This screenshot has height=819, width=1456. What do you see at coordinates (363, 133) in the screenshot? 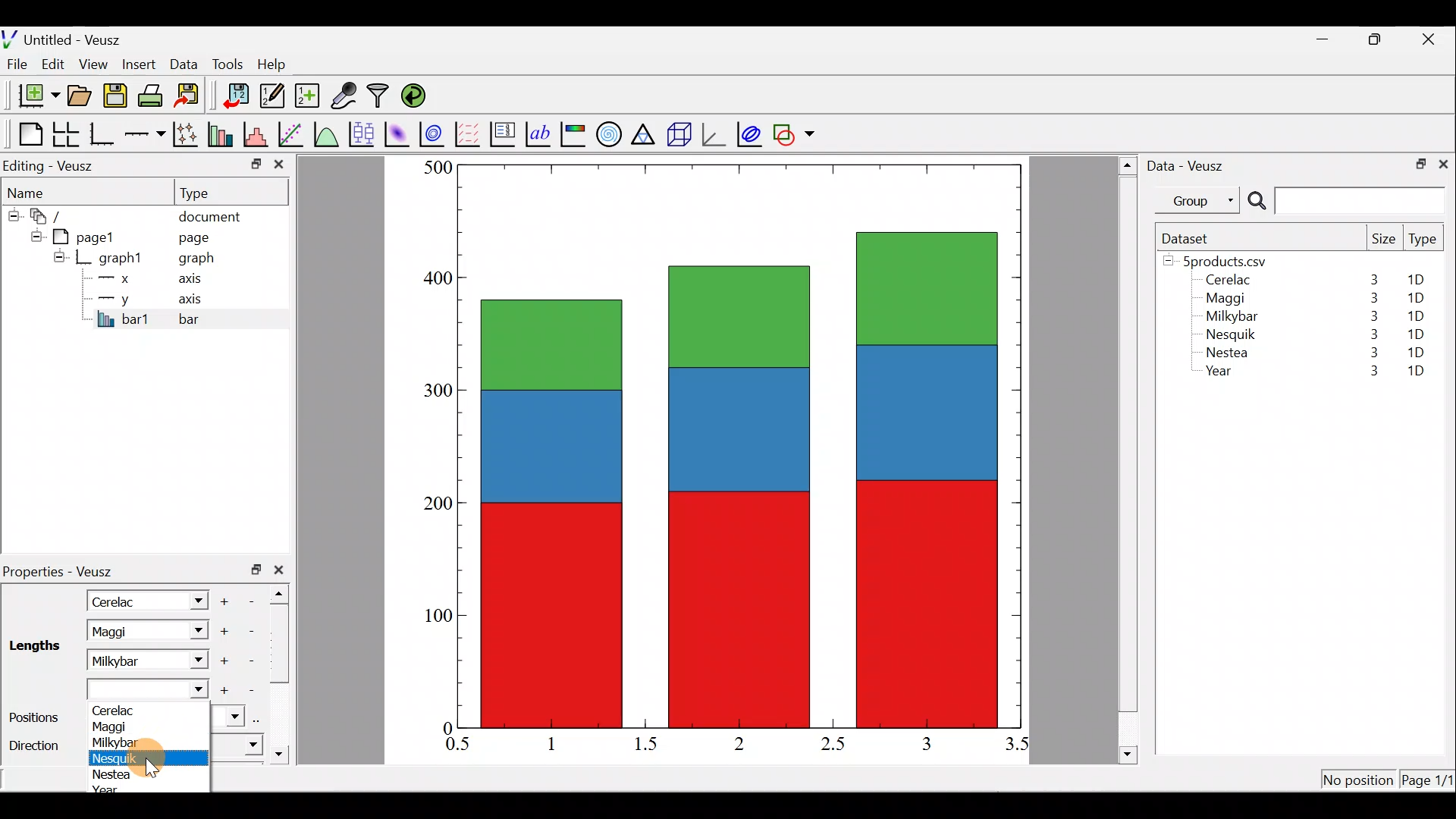
I see `Plot box plots` at bounding box center [363, 133].